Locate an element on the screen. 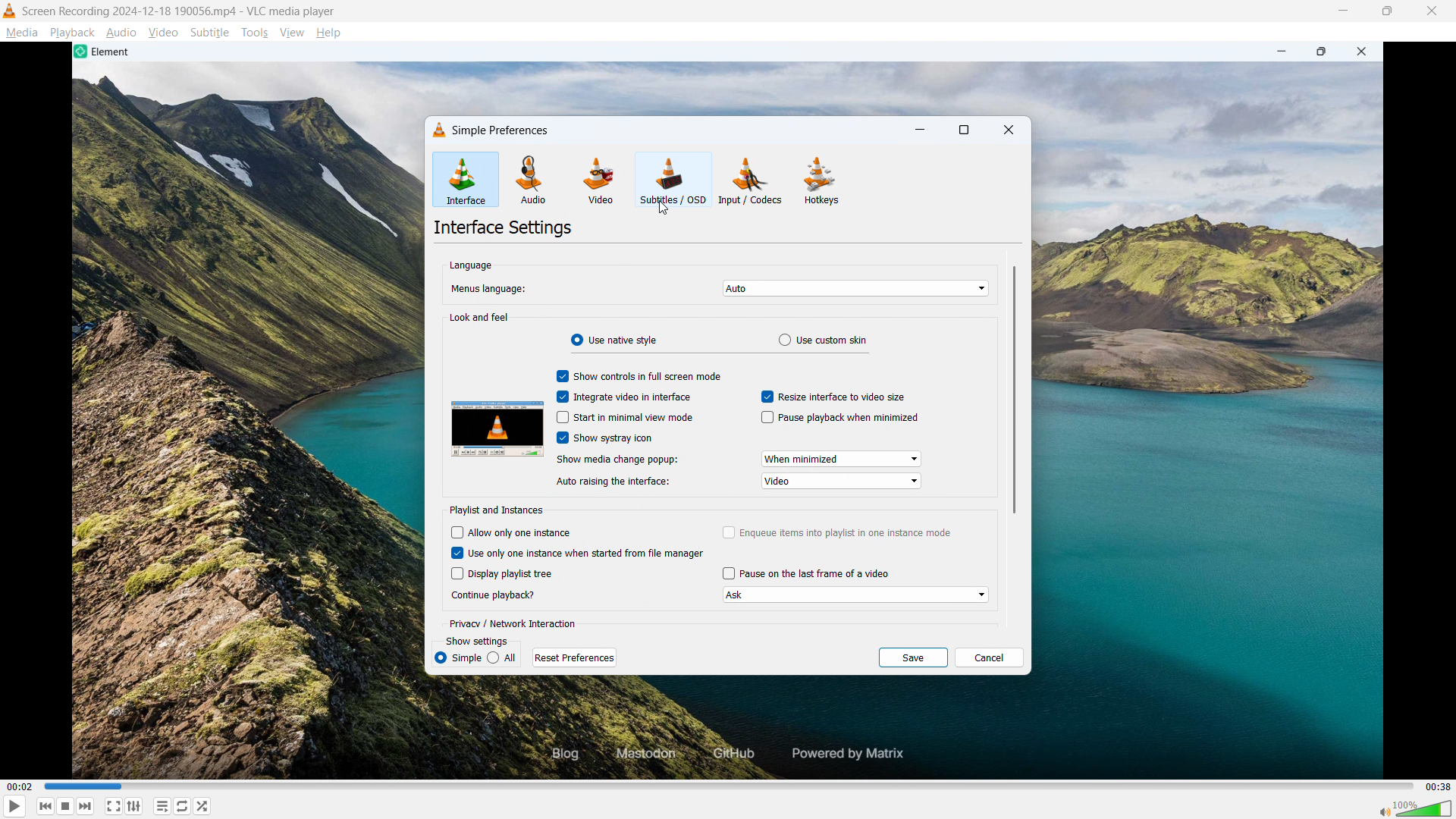  Maximize  is located at coordinates (964, 130).